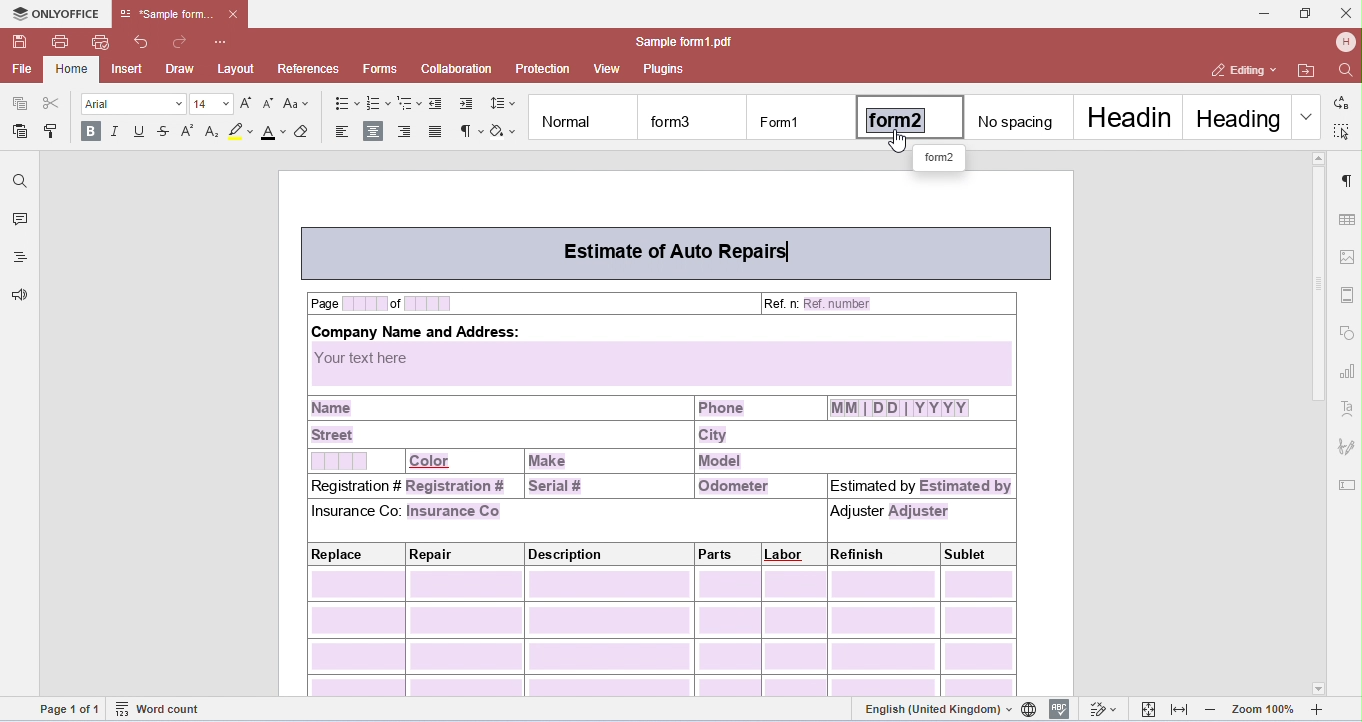 The image size is (1362, 722). I want to click on increment font size, so click(251, 103).